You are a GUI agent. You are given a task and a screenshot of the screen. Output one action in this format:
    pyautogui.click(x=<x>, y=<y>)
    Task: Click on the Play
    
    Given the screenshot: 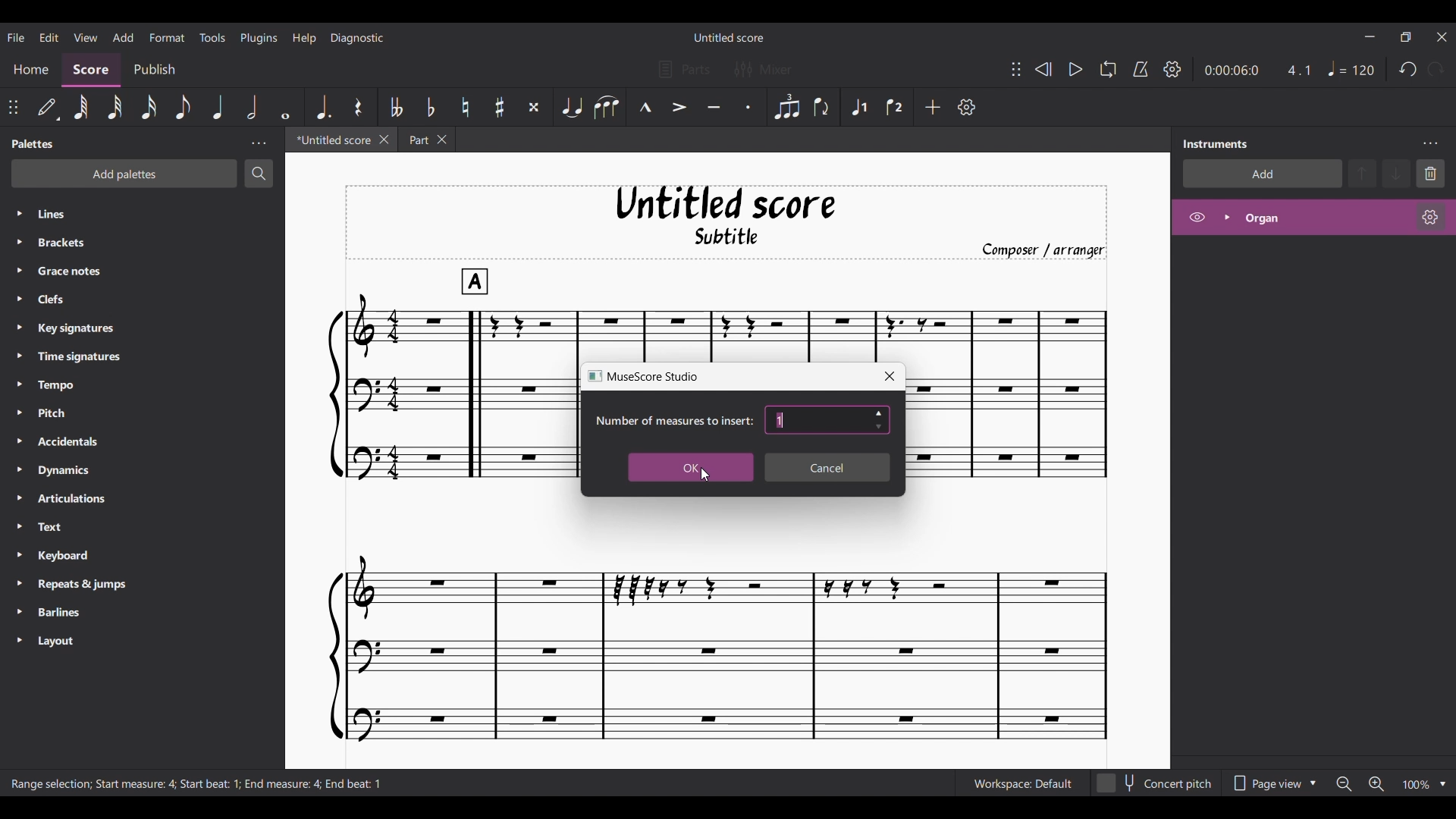 What is the action you would take?
    pyautogui.click(x=1075, y=70)
    